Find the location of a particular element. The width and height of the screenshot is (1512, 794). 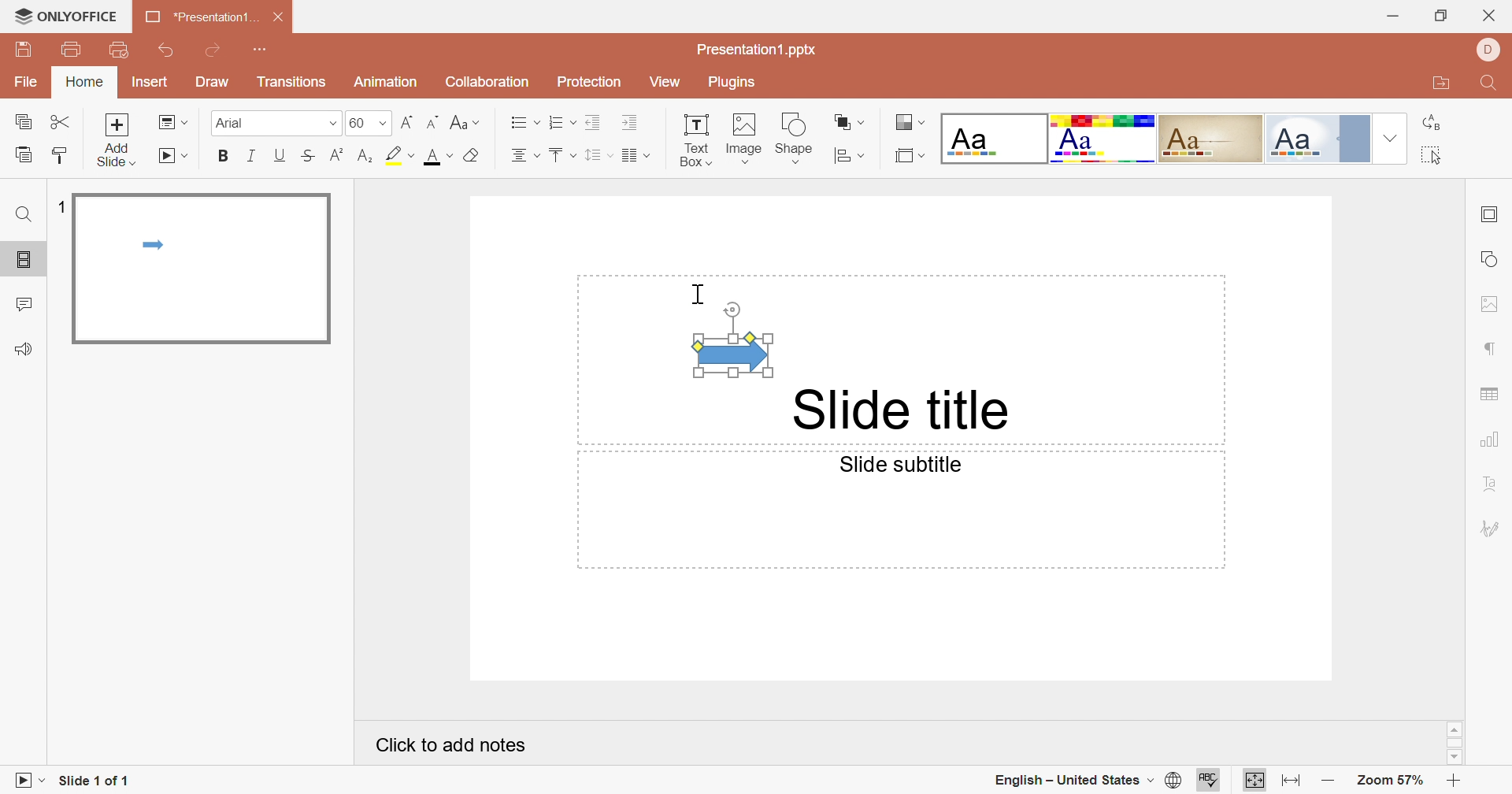

Fit to slide is located at coordinates (1252, 781).